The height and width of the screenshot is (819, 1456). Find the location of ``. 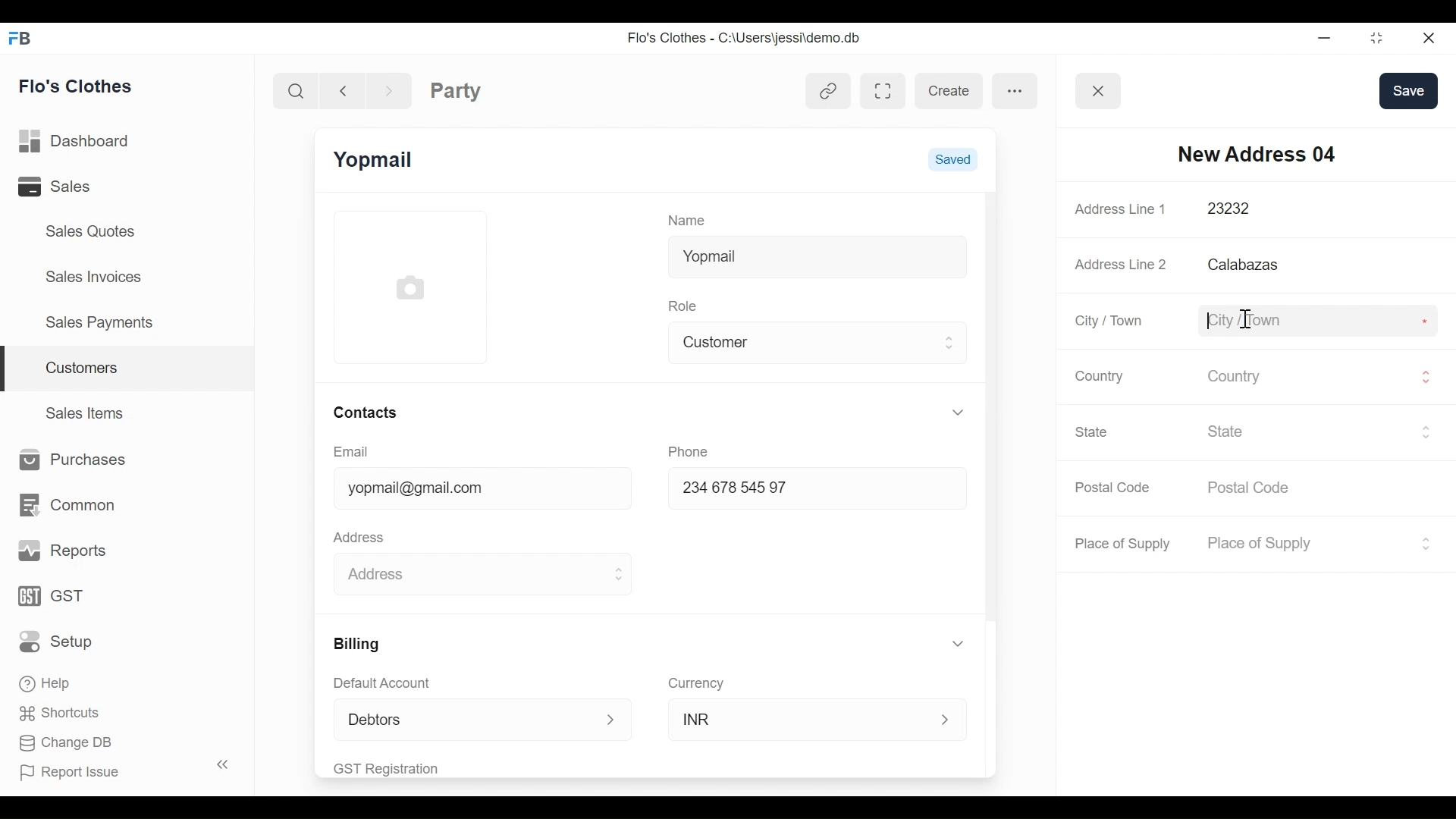

 is located at coordinates (1099, 91).